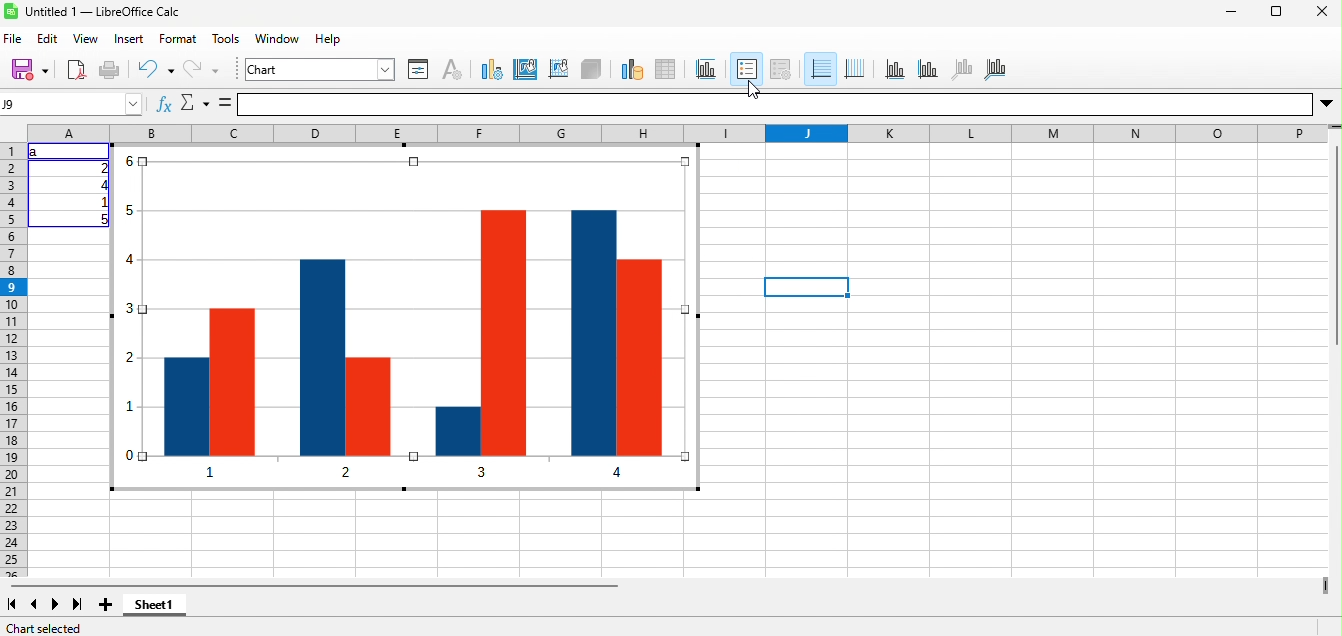 The width and height of the screenshot is (1342, 636). What do you see at coordinates (277, 40) in the screenshot?
I see `window` at bounding box center [277, 40].